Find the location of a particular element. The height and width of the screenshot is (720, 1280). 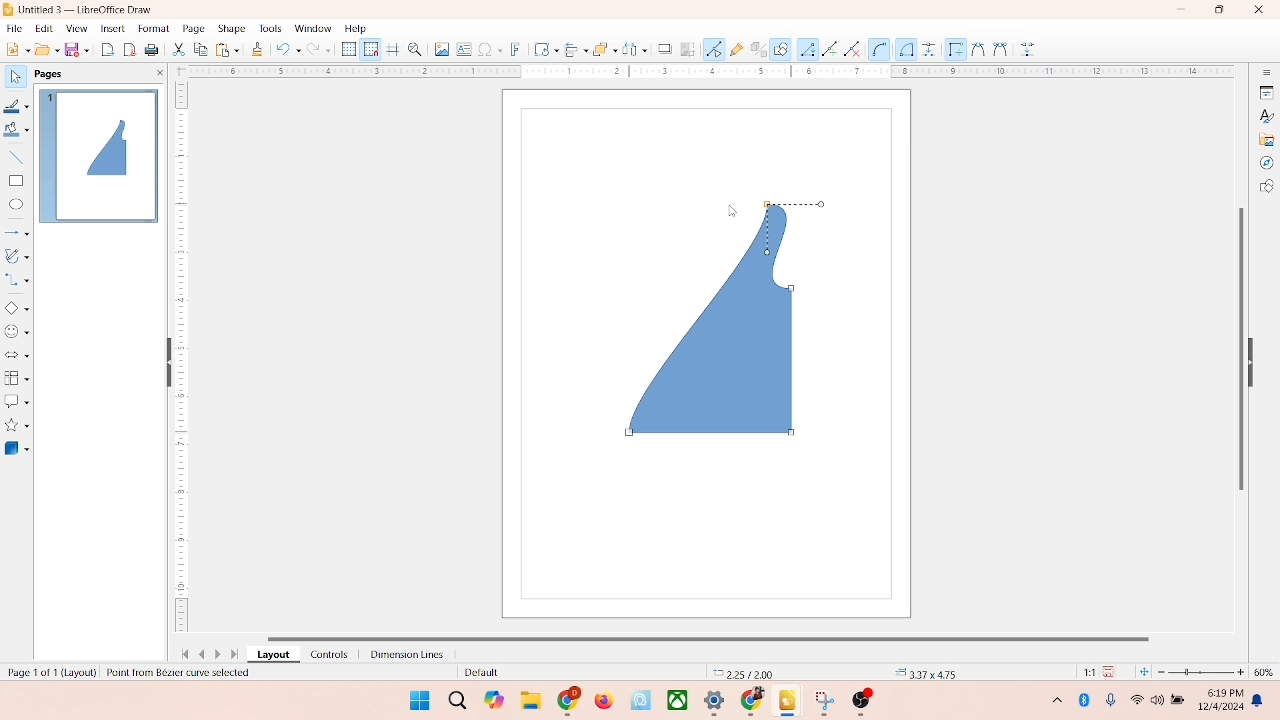

maximize is located at coordinates (1219, 10).